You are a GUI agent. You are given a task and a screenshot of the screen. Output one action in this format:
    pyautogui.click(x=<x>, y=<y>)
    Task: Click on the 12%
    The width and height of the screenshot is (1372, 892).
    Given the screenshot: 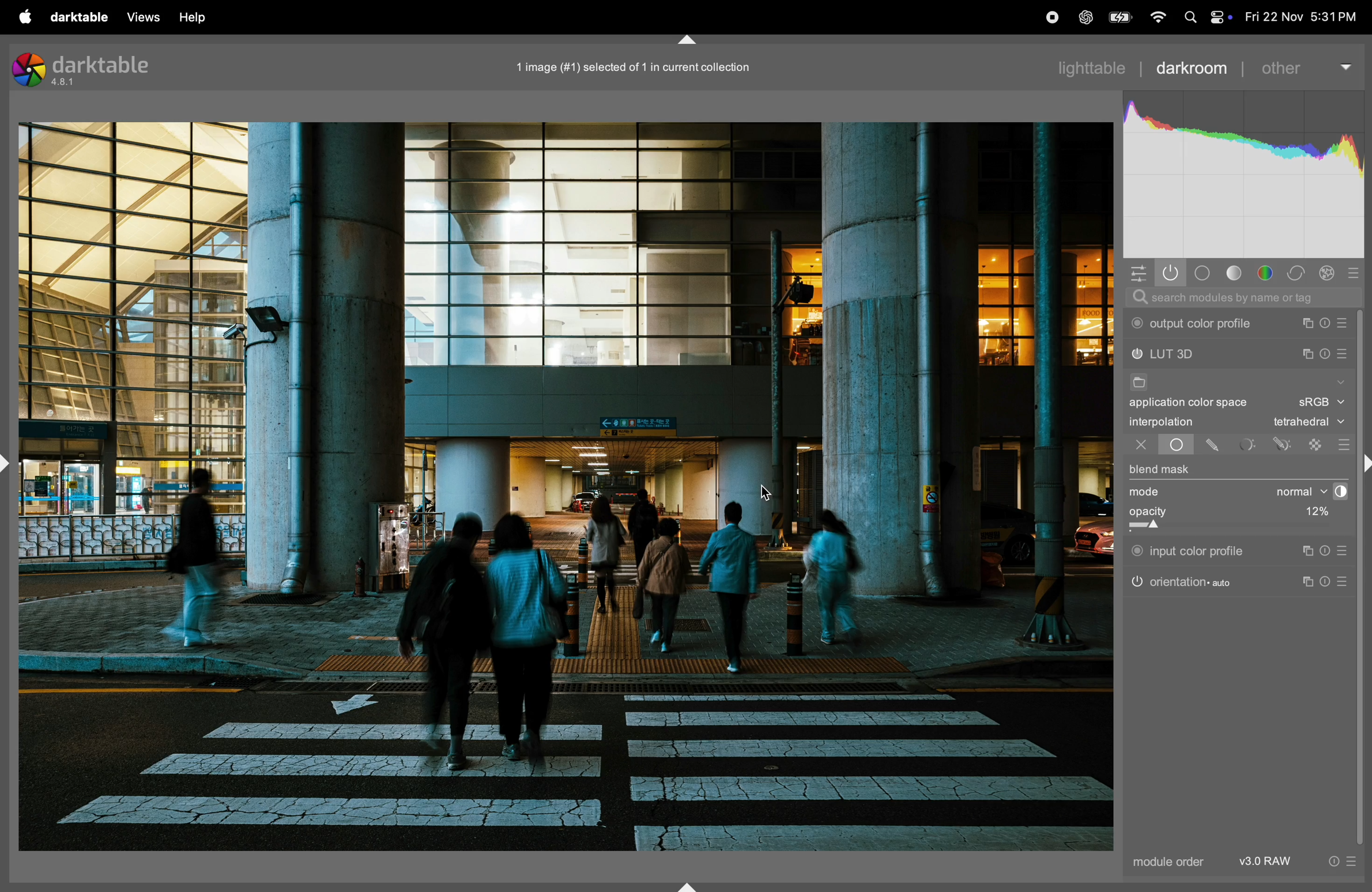 What is the action you would take?
    pyautogui.click(x=1314, y=513)
    